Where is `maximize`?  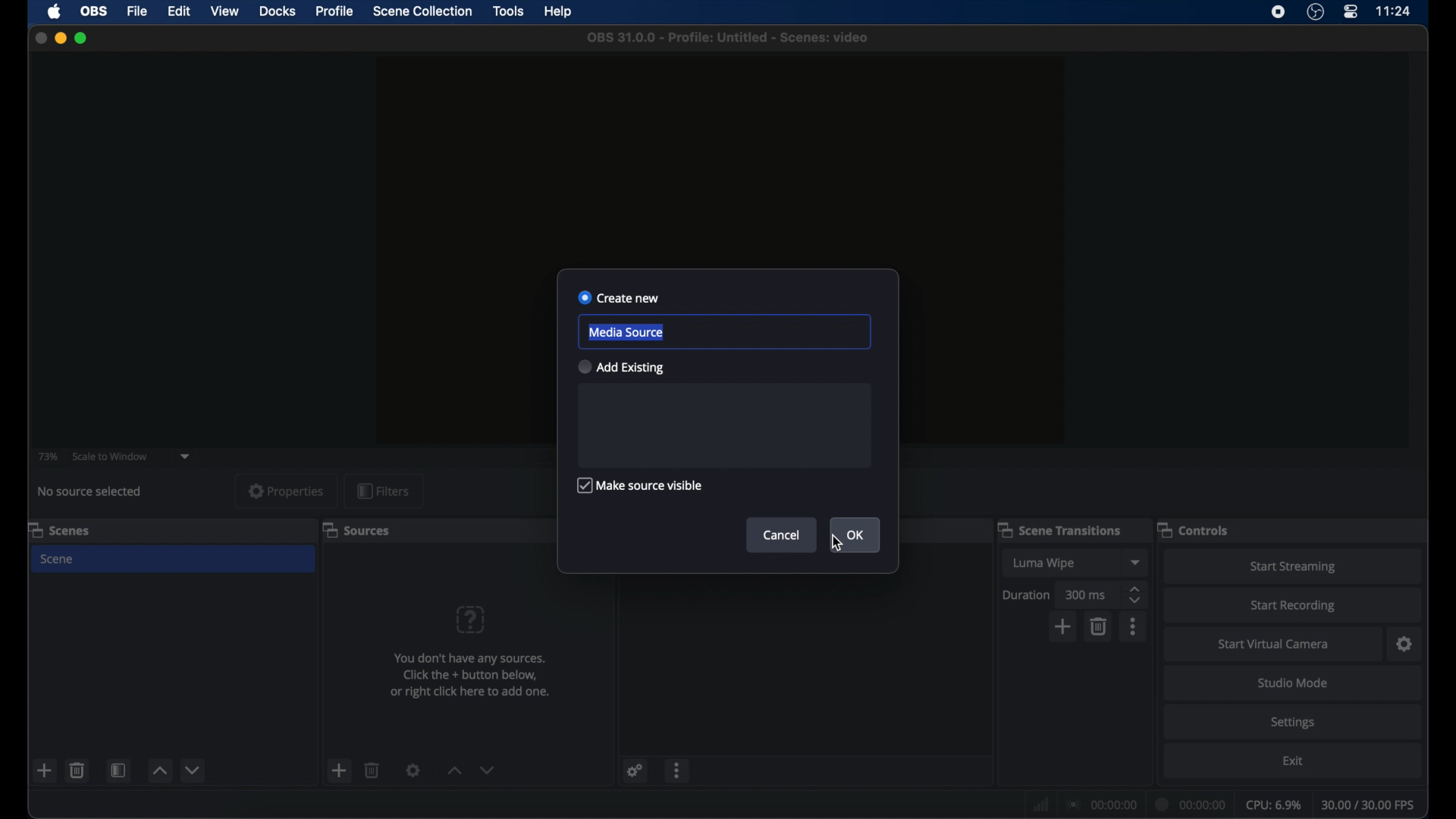 maximize is located at coordinates (82, 38).